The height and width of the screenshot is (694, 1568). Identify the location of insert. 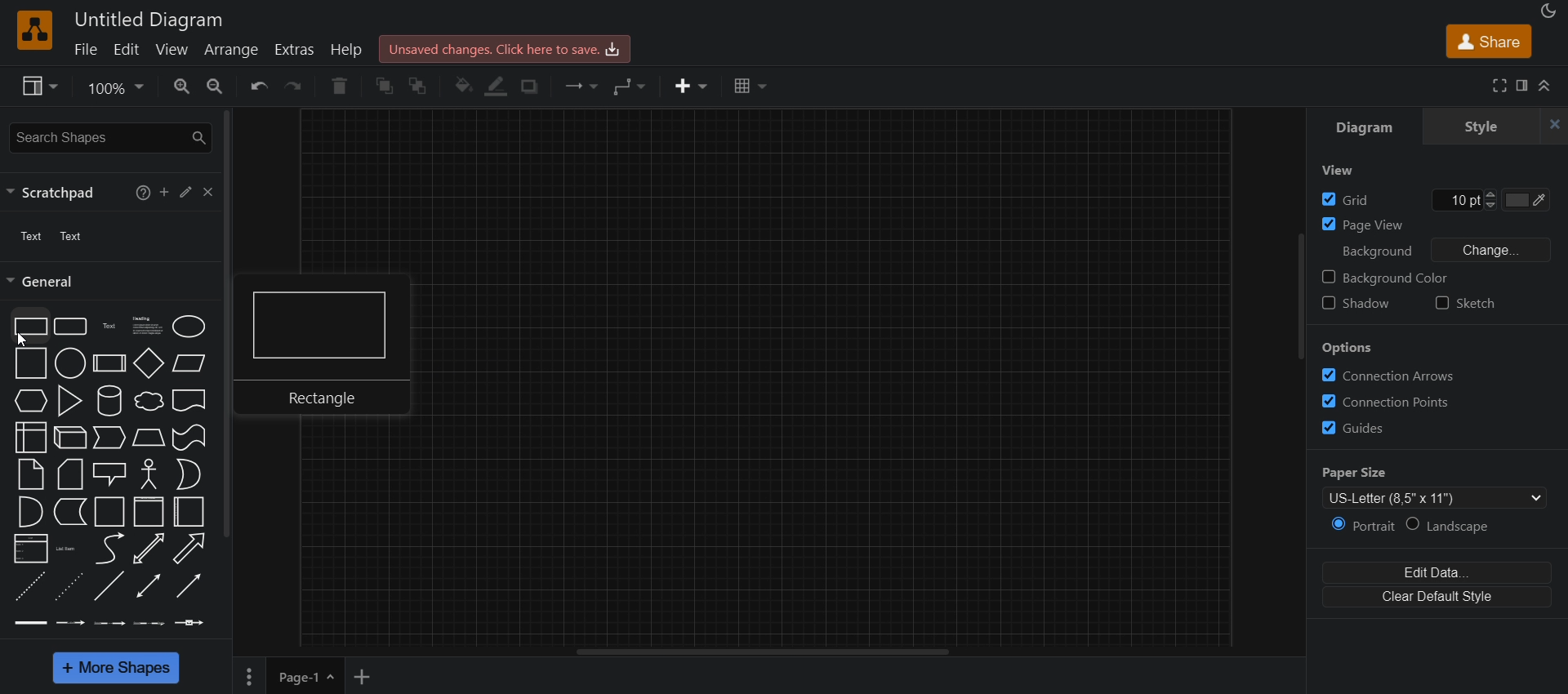
(689, 87).